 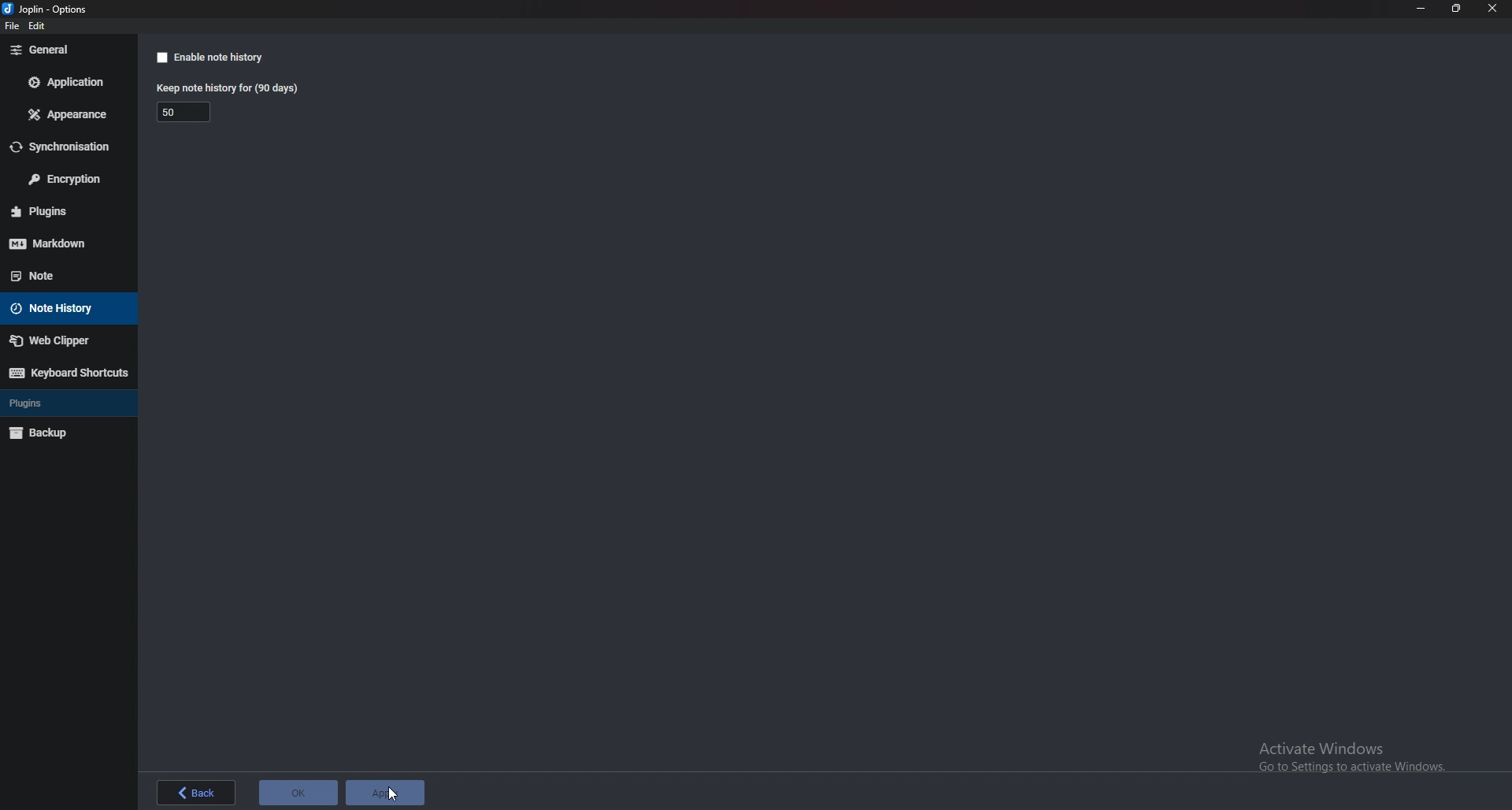 I want to click on Duration, so click(x=168, y=113).